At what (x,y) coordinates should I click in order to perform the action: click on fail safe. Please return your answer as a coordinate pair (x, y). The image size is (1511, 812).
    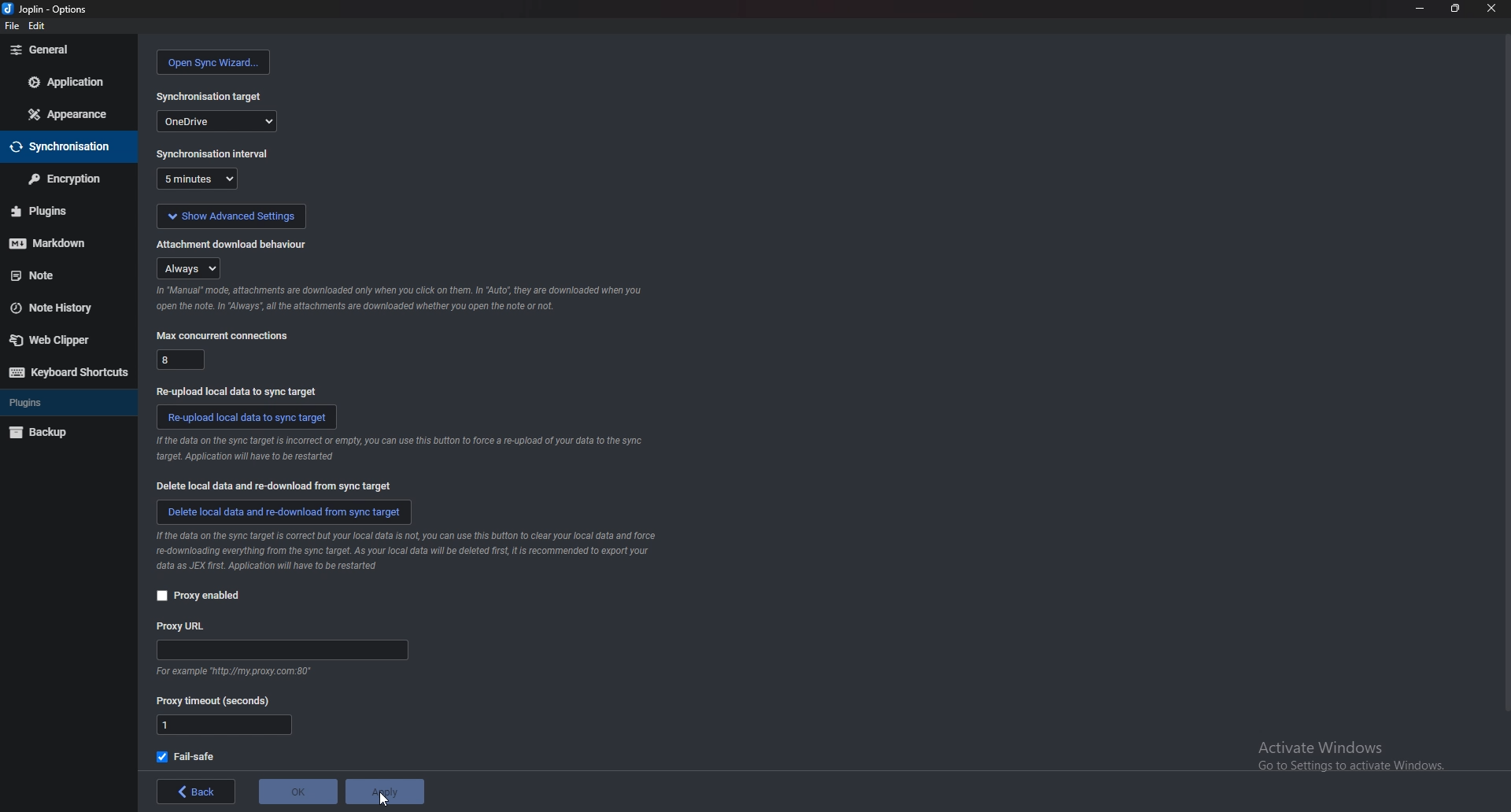
    Looking at the image, I should click on (191, 756).